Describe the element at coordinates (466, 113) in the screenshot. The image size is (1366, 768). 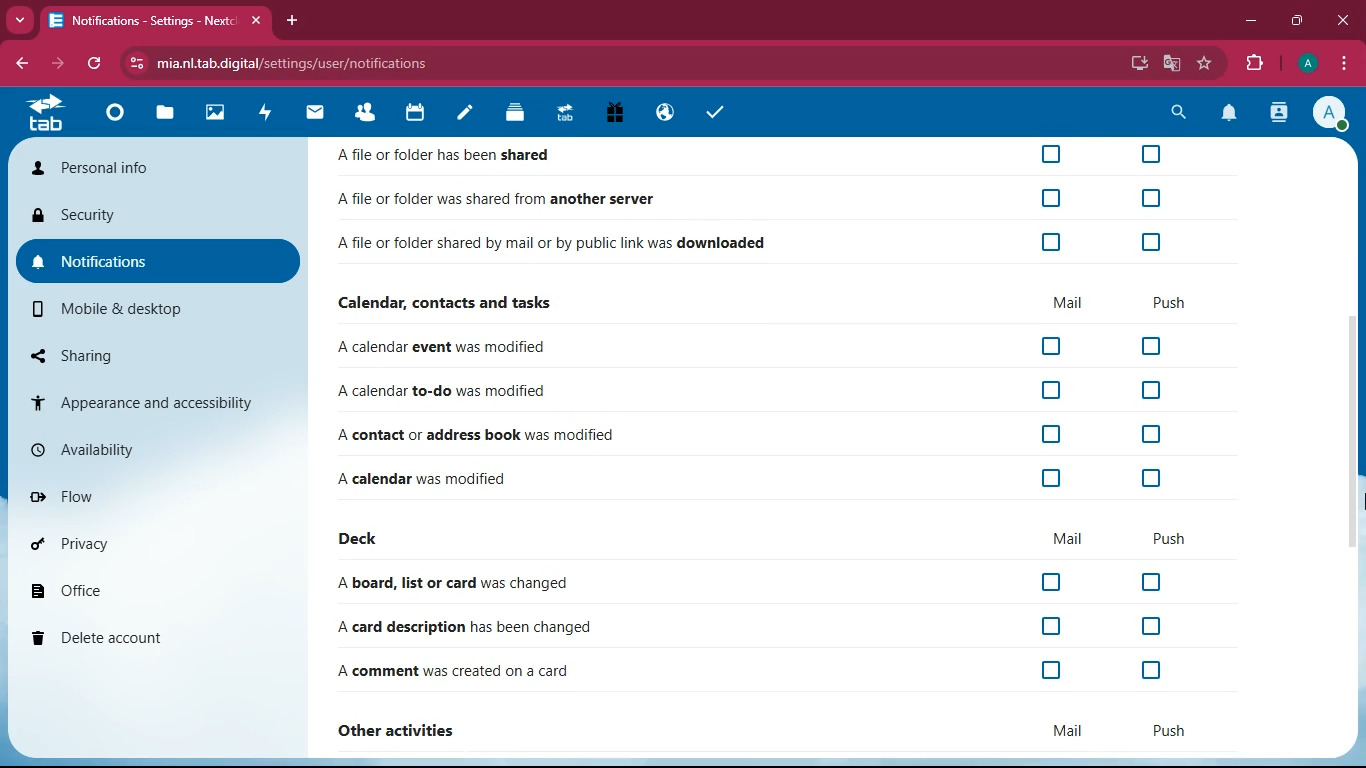
I see `notes` at that location.